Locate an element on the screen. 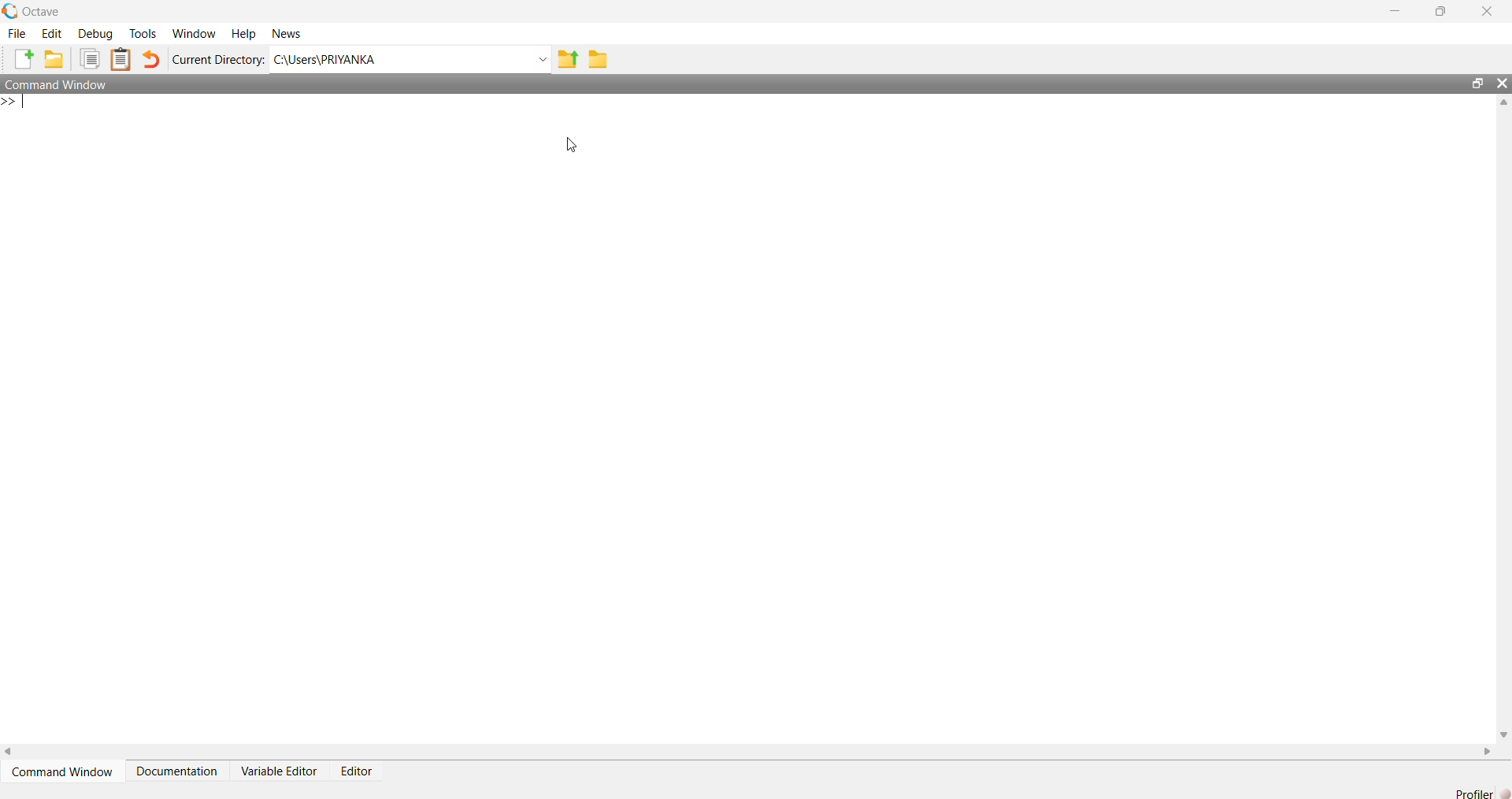 The image size is (1512, 799). Close is located at coordinates (1487, 11).